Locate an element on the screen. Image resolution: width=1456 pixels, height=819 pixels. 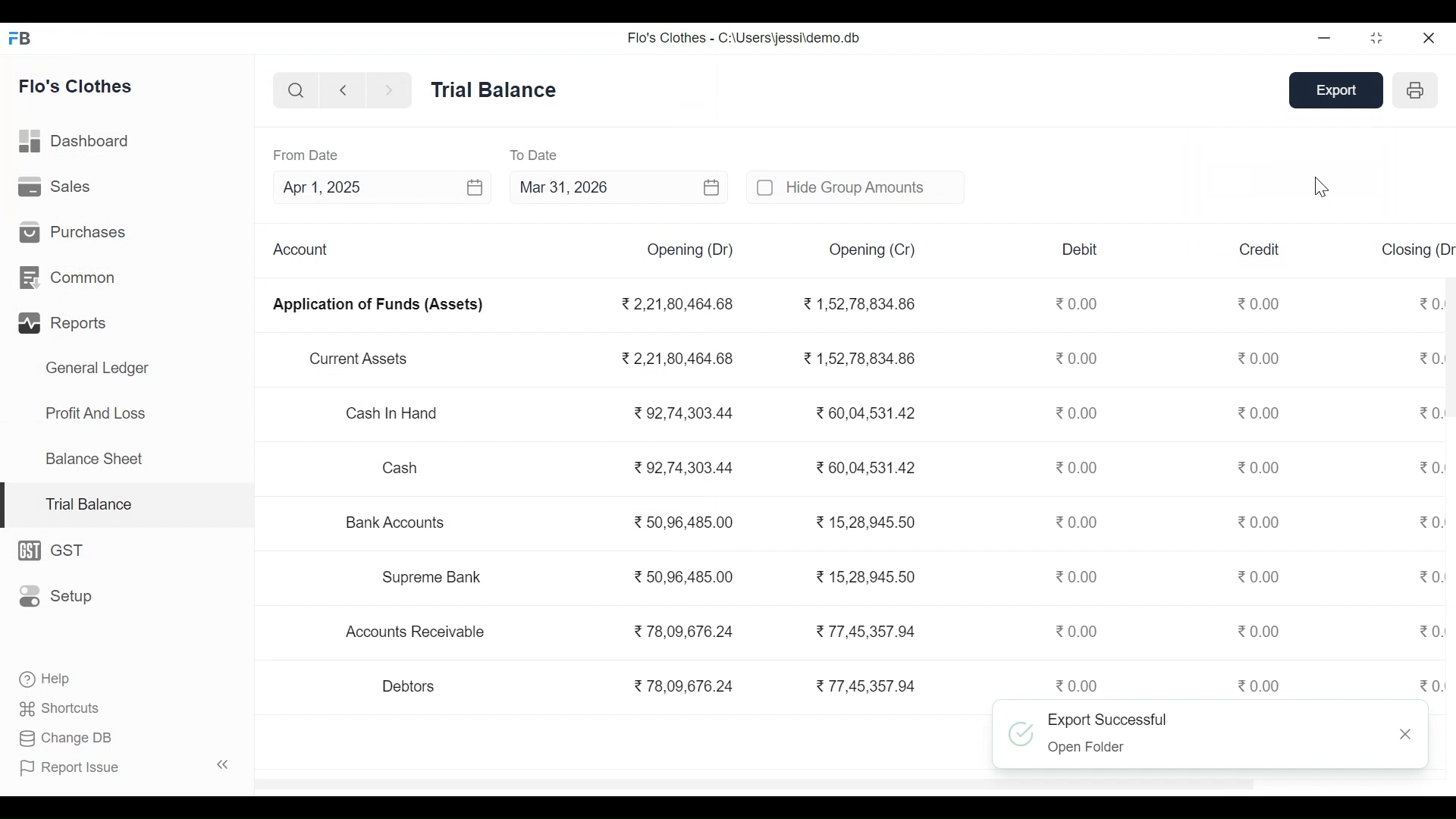
0.00 is located at coordinates (1429, 578).